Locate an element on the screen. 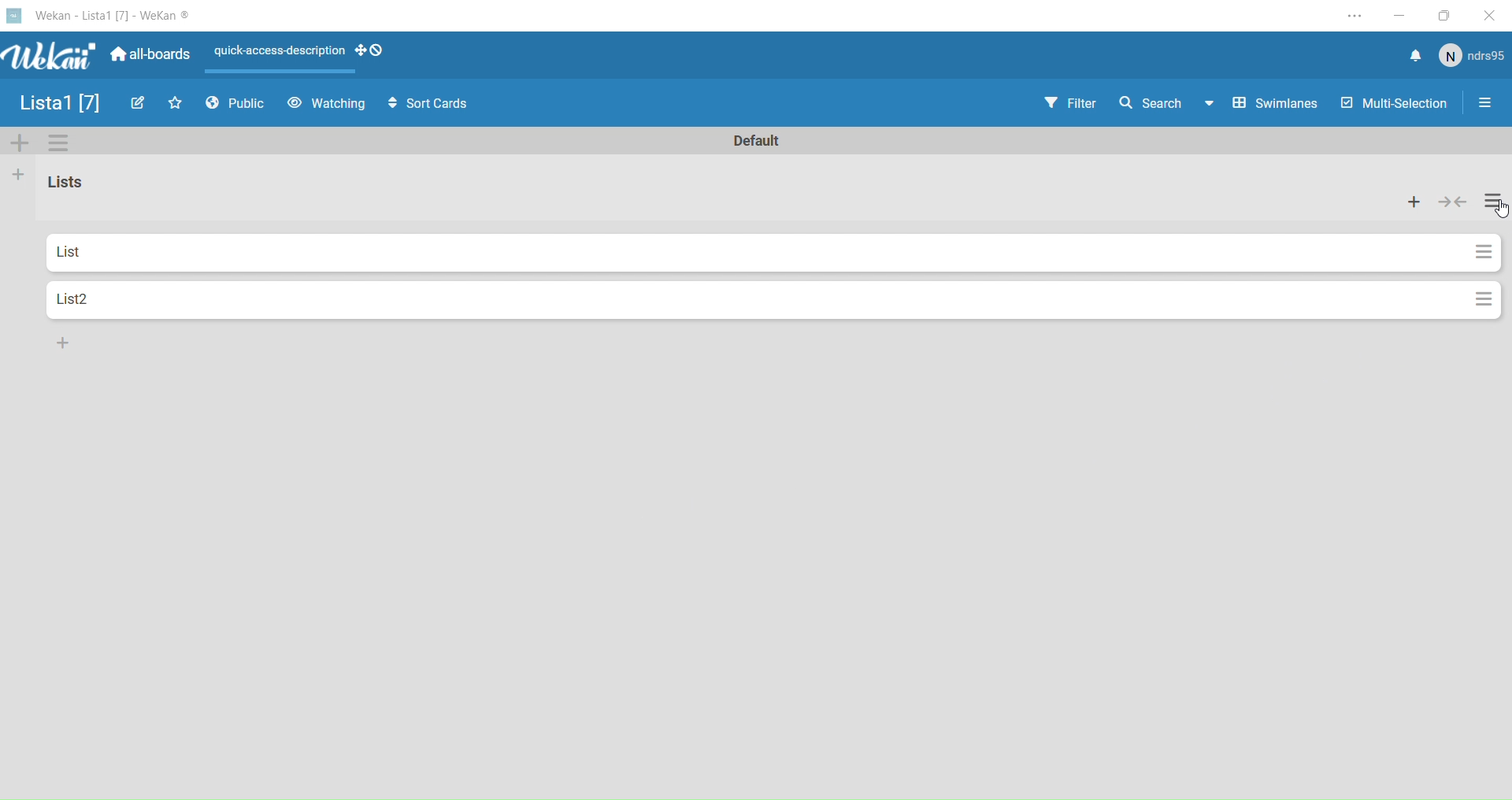 The image size is (1512, 800). collapse is located at coordinates (1454, 202).